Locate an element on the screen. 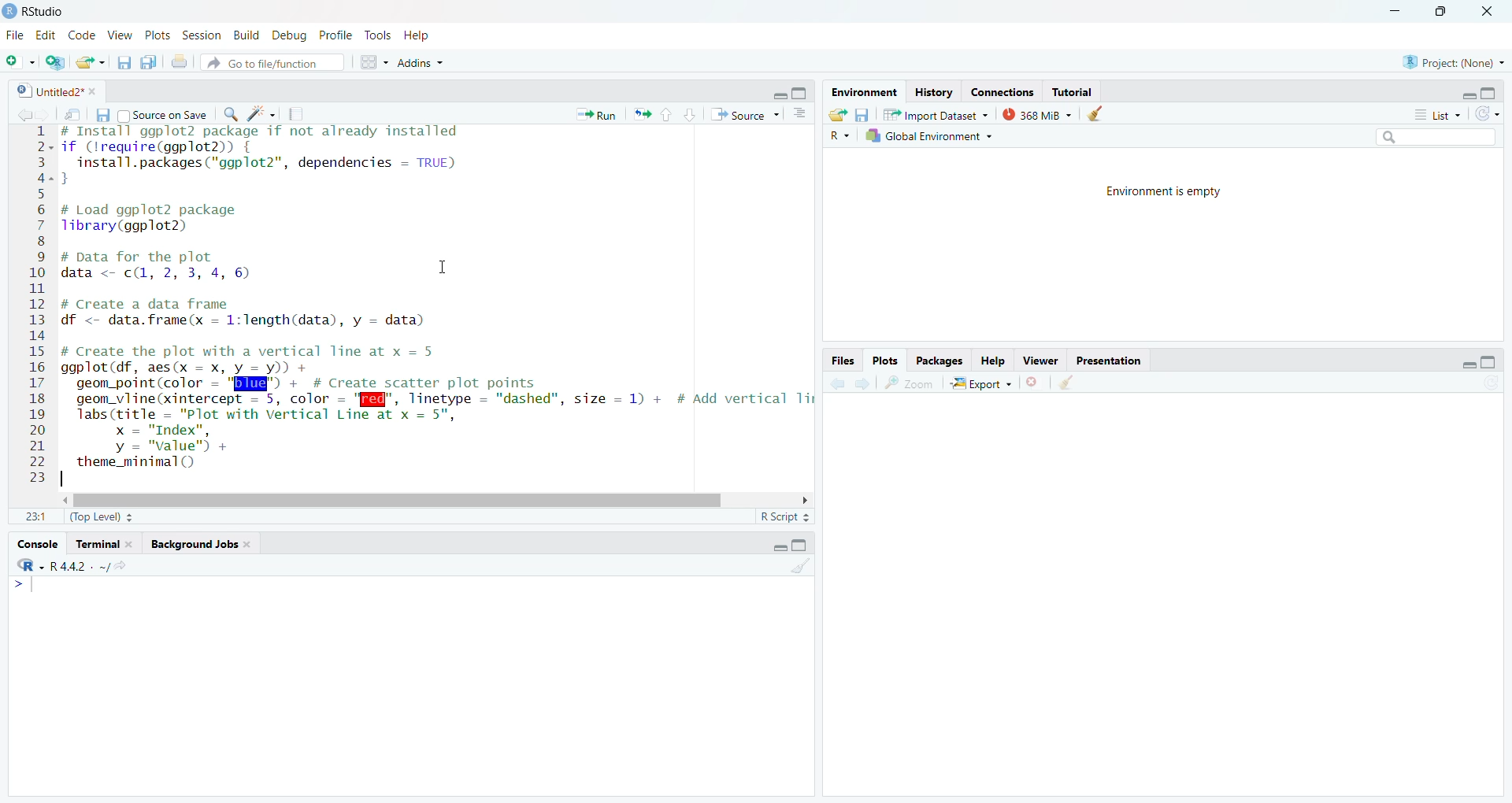  export is located at coordinates (839, 117).